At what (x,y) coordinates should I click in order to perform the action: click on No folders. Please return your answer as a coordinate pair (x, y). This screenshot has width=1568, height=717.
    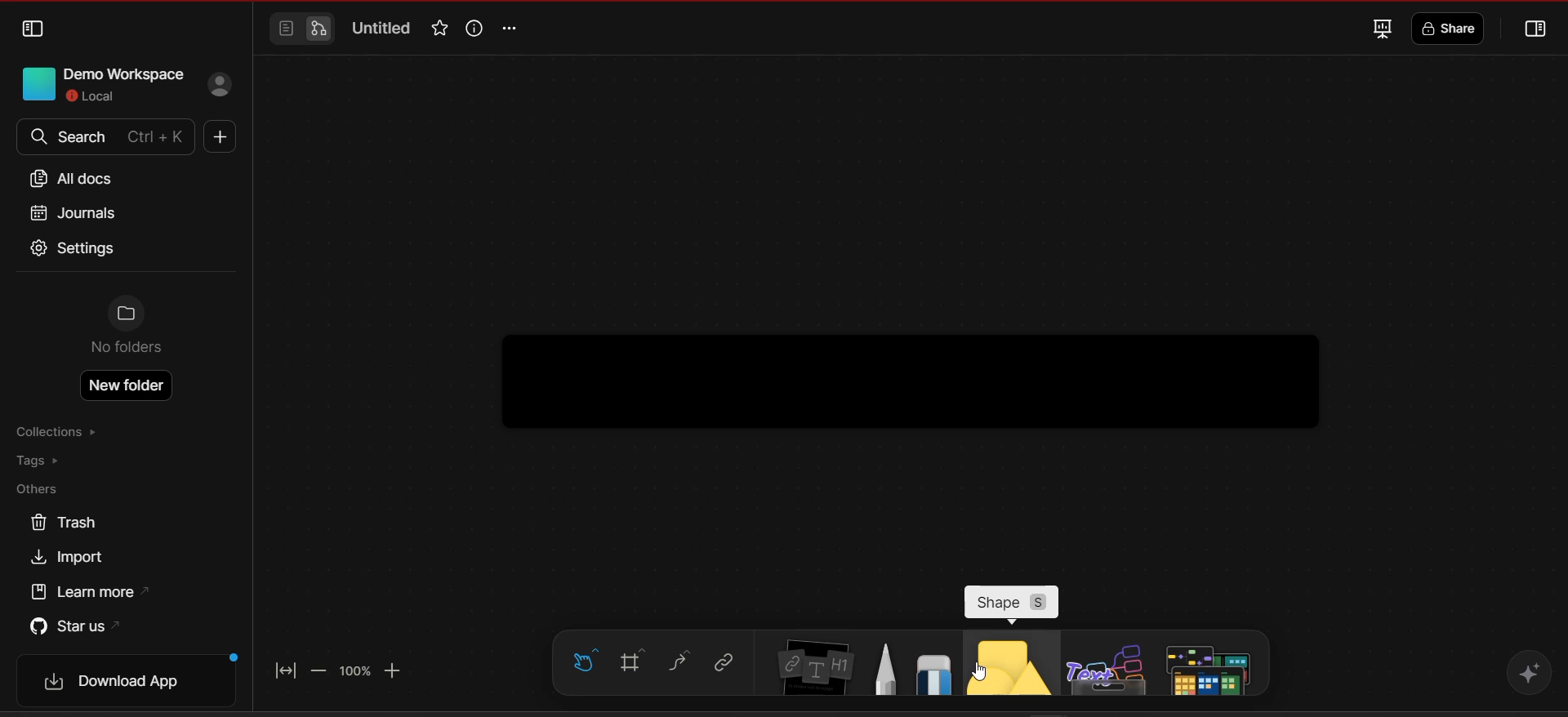
    Looking at the image, I should click on (130, 327).